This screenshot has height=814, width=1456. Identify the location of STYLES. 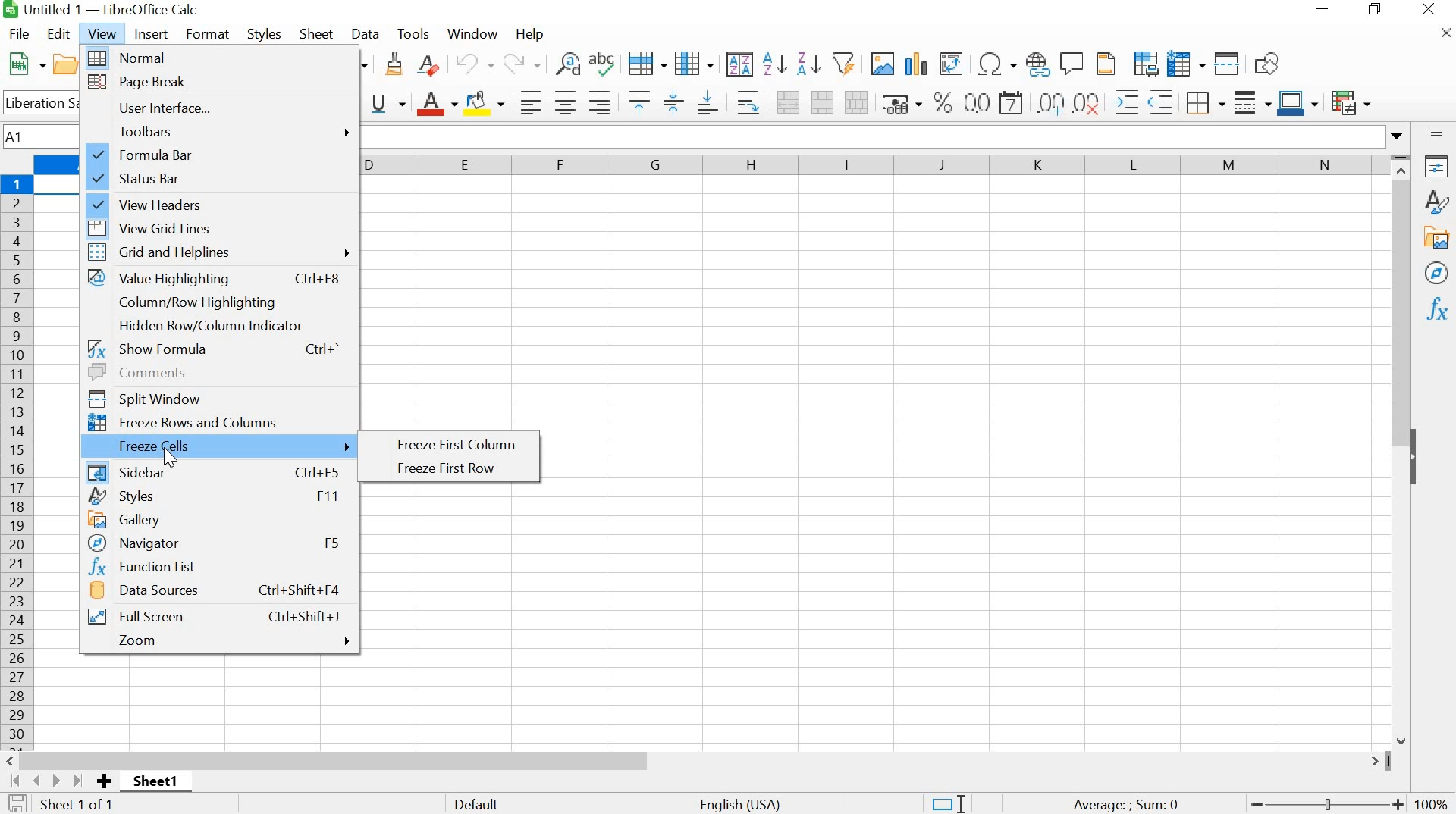
(216, 496).